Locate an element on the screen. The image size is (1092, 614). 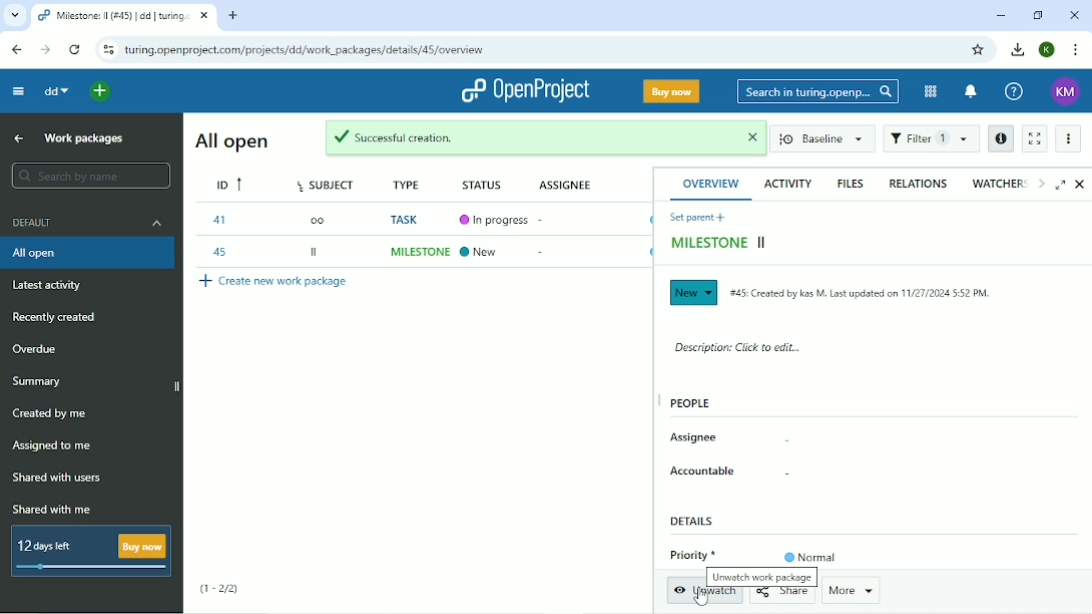
Share is located at coordinates (786, 596).